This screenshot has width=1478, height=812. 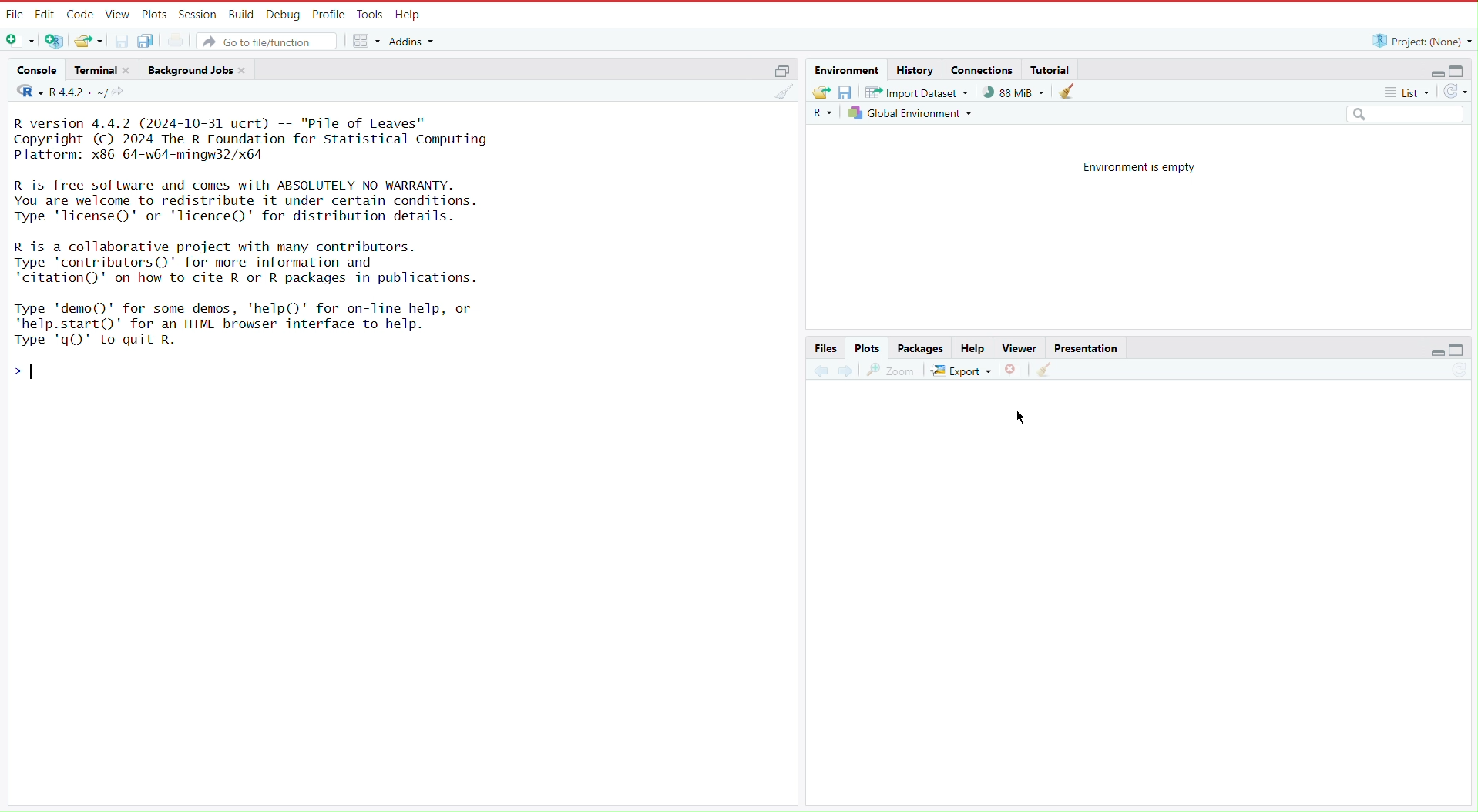 What do you see at coordinates (821, 91) in the screenshot?
I see `Load workspace` at bounding box center [821, 91].